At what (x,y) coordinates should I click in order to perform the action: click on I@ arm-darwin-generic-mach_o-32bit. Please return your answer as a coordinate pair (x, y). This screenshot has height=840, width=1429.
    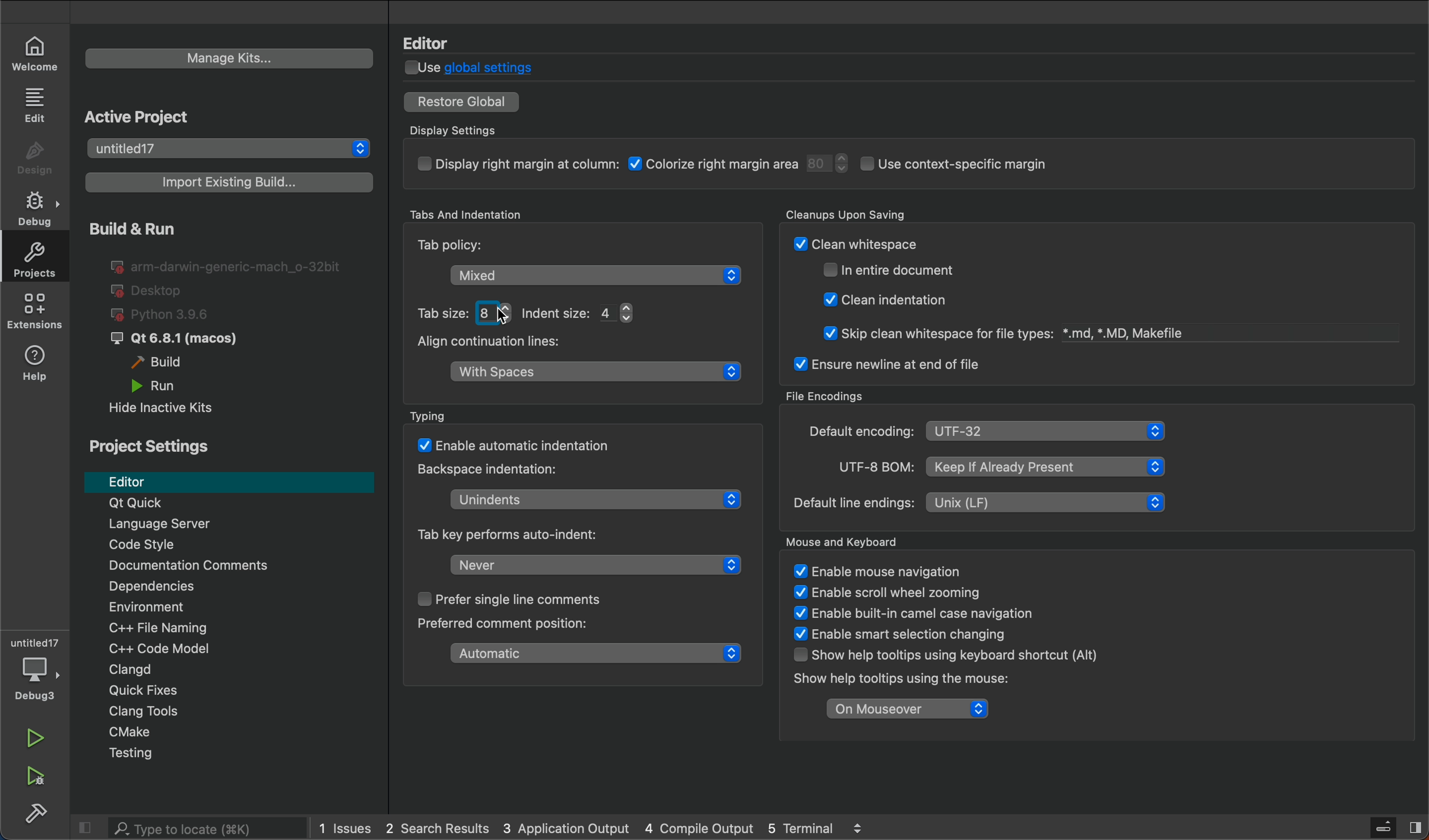
    Looking at the image, I should click on (229, 266).